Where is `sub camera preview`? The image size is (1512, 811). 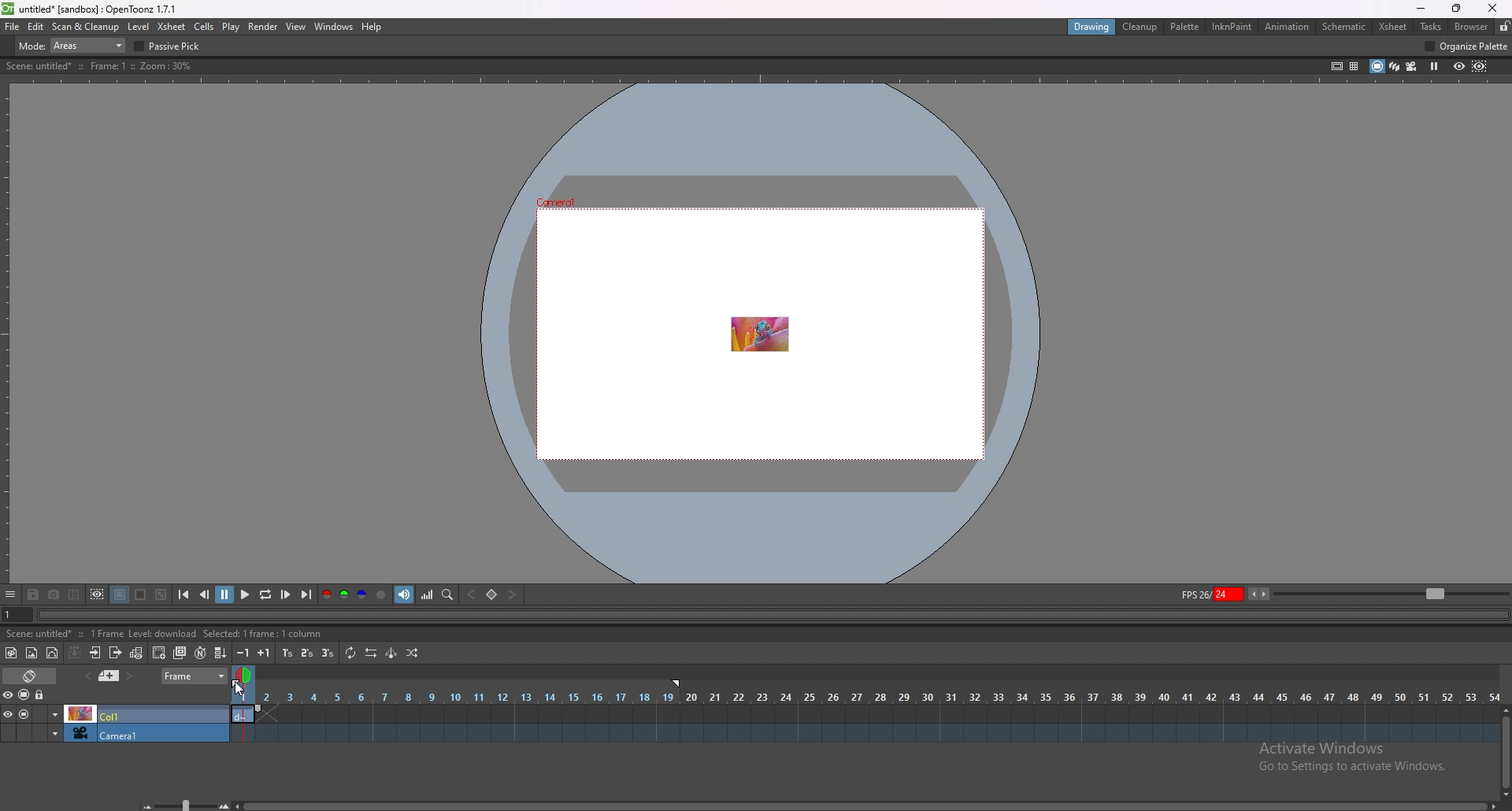 sub camera preview is located at coordinates (1480, 67).